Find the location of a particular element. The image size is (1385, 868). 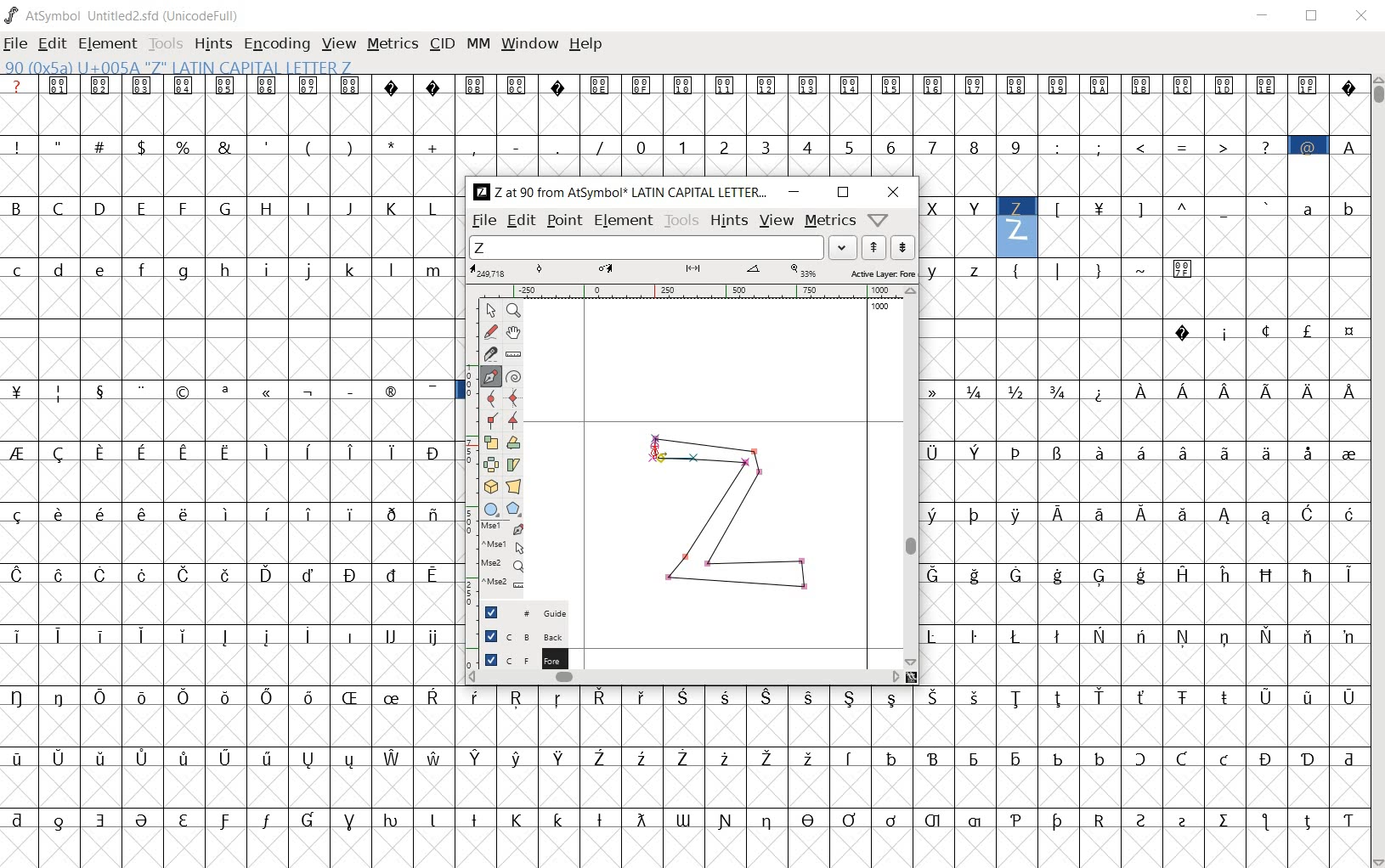

CURSOR is located at coordinates (664, 462).